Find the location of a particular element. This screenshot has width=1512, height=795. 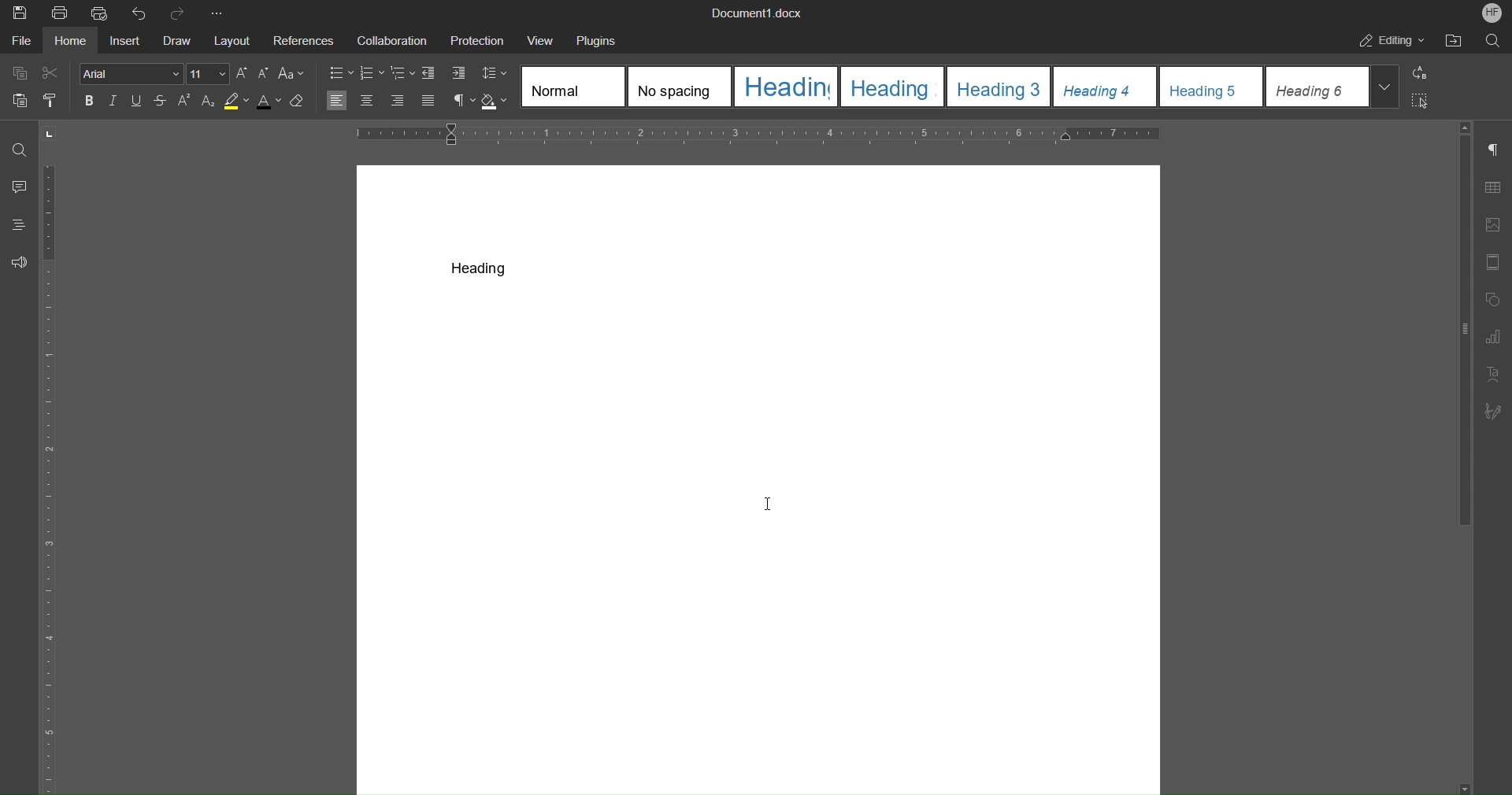

Underline is located at coordinates (137, 102).